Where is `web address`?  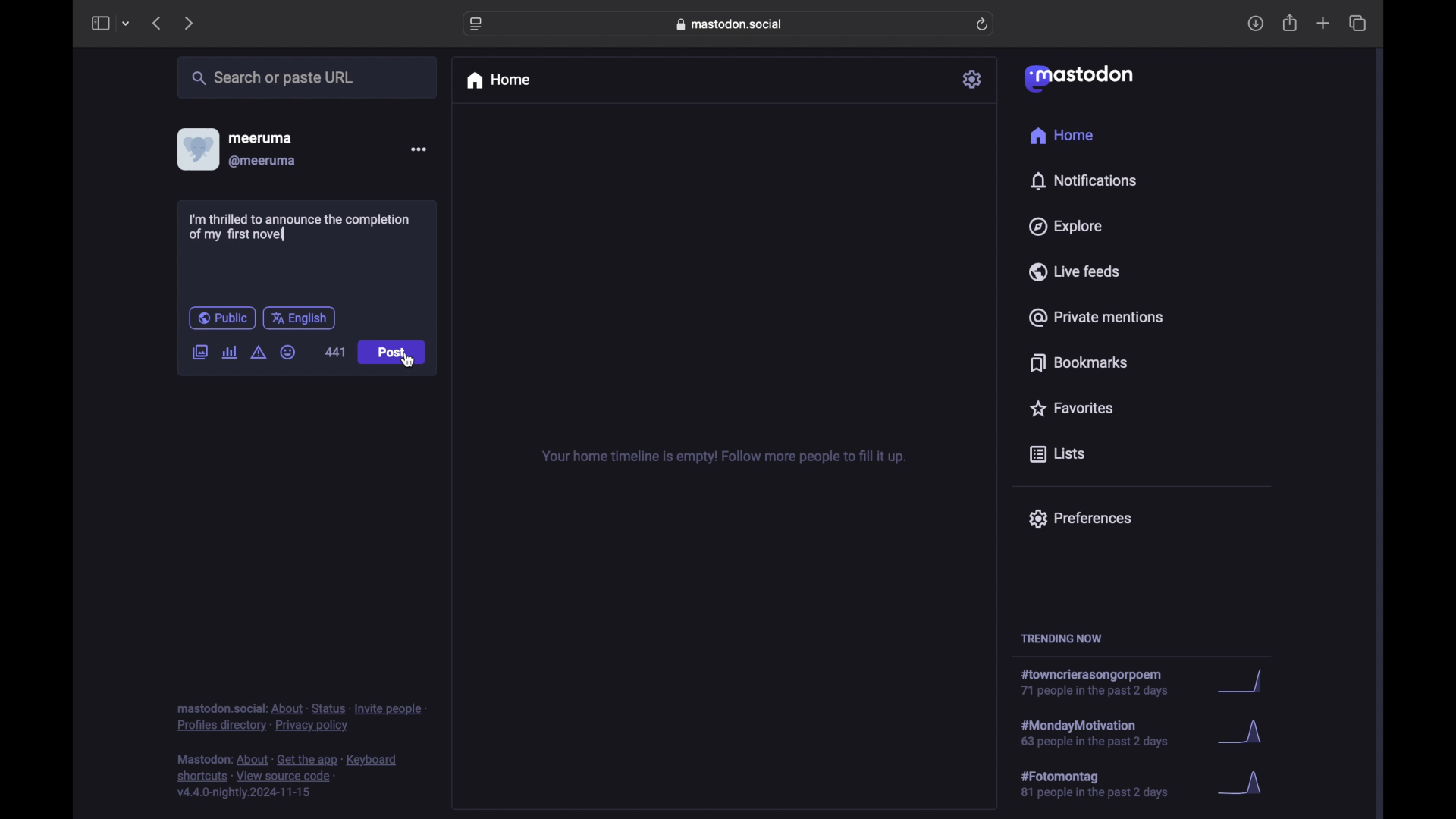 web address is located at coordinates (730, 24).